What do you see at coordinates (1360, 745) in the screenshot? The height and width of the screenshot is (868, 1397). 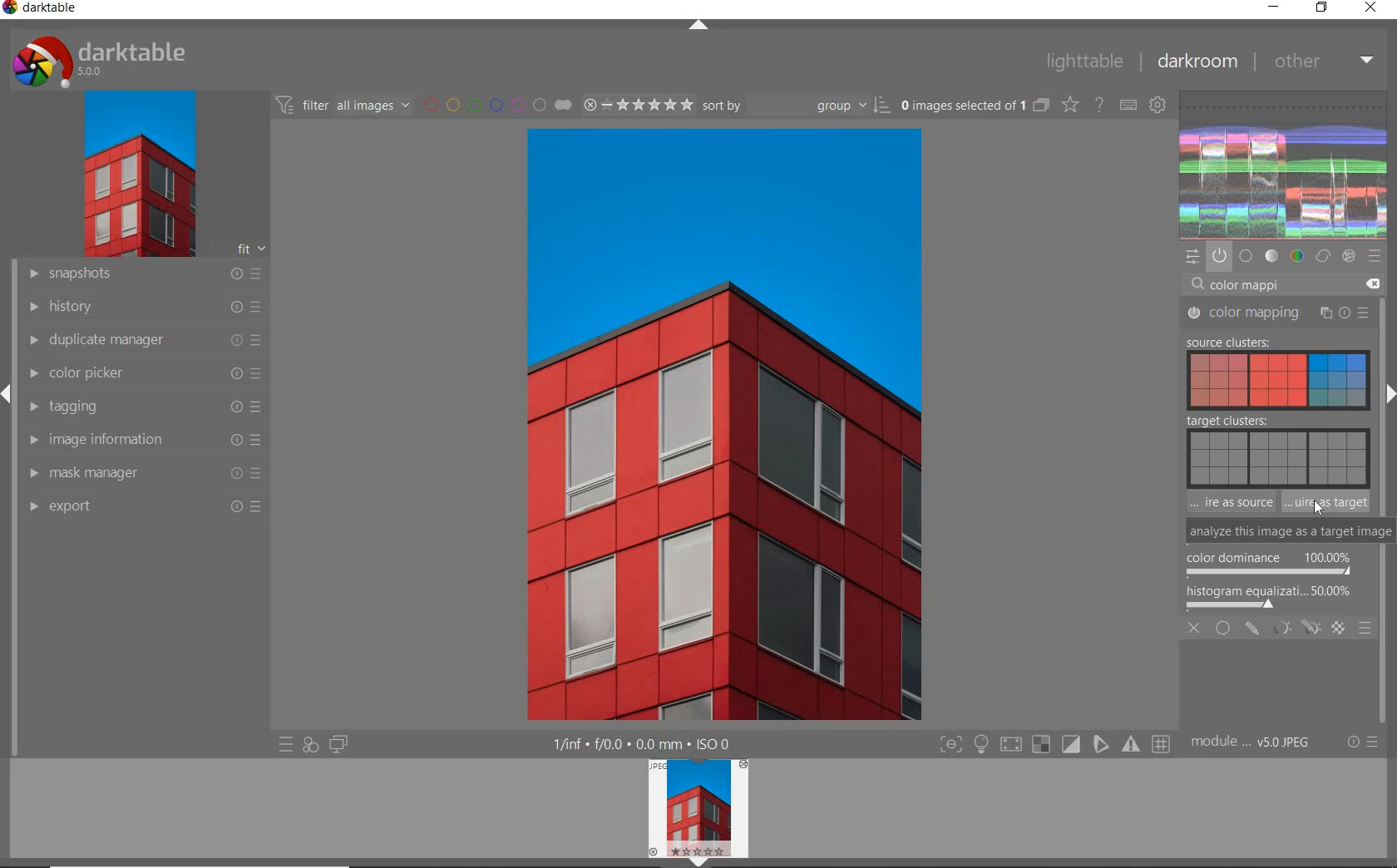 I see `reset or preset & preference` at bounding box center [1360, 745].